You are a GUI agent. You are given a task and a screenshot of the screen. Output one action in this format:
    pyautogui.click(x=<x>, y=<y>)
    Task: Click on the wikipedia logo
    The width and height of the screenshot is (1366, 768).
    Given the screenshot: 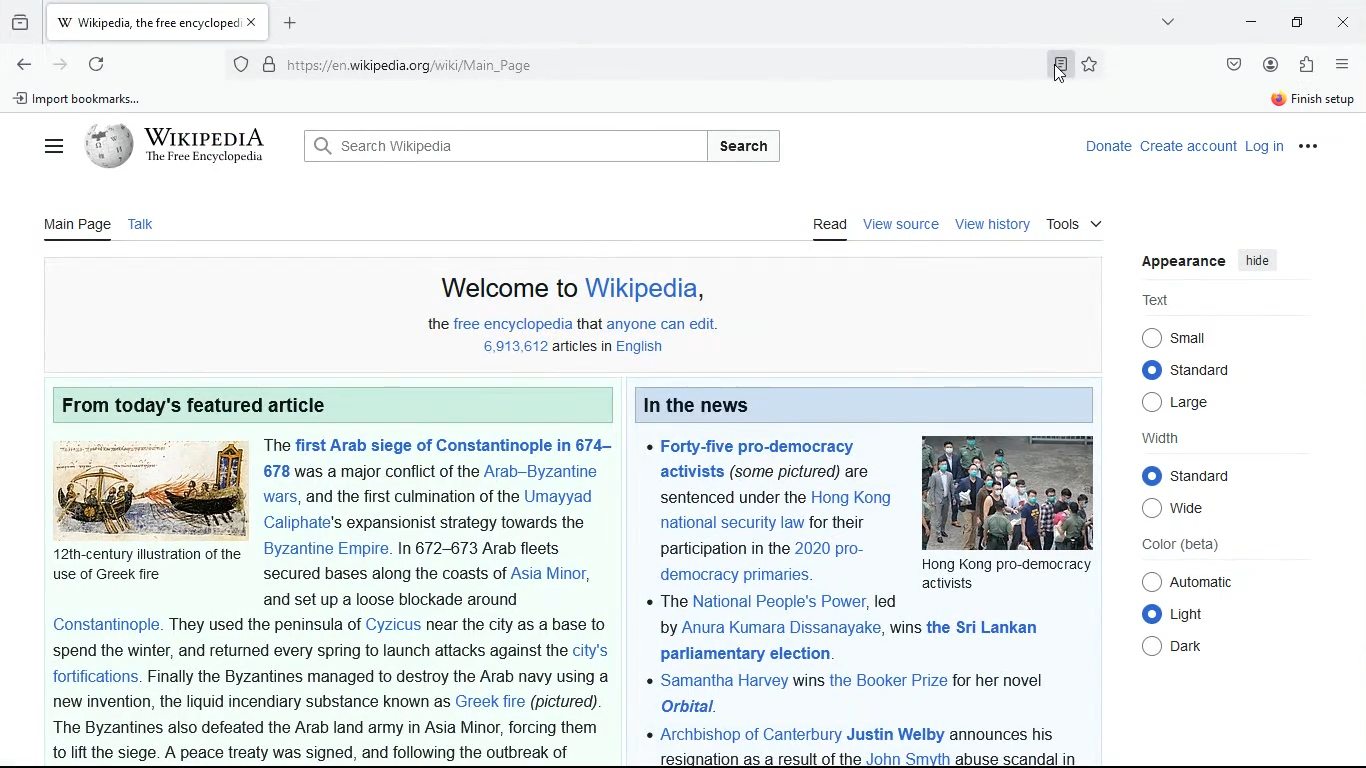 What is the action you would take?
    pyautogui.click(x=184, y=149)
    